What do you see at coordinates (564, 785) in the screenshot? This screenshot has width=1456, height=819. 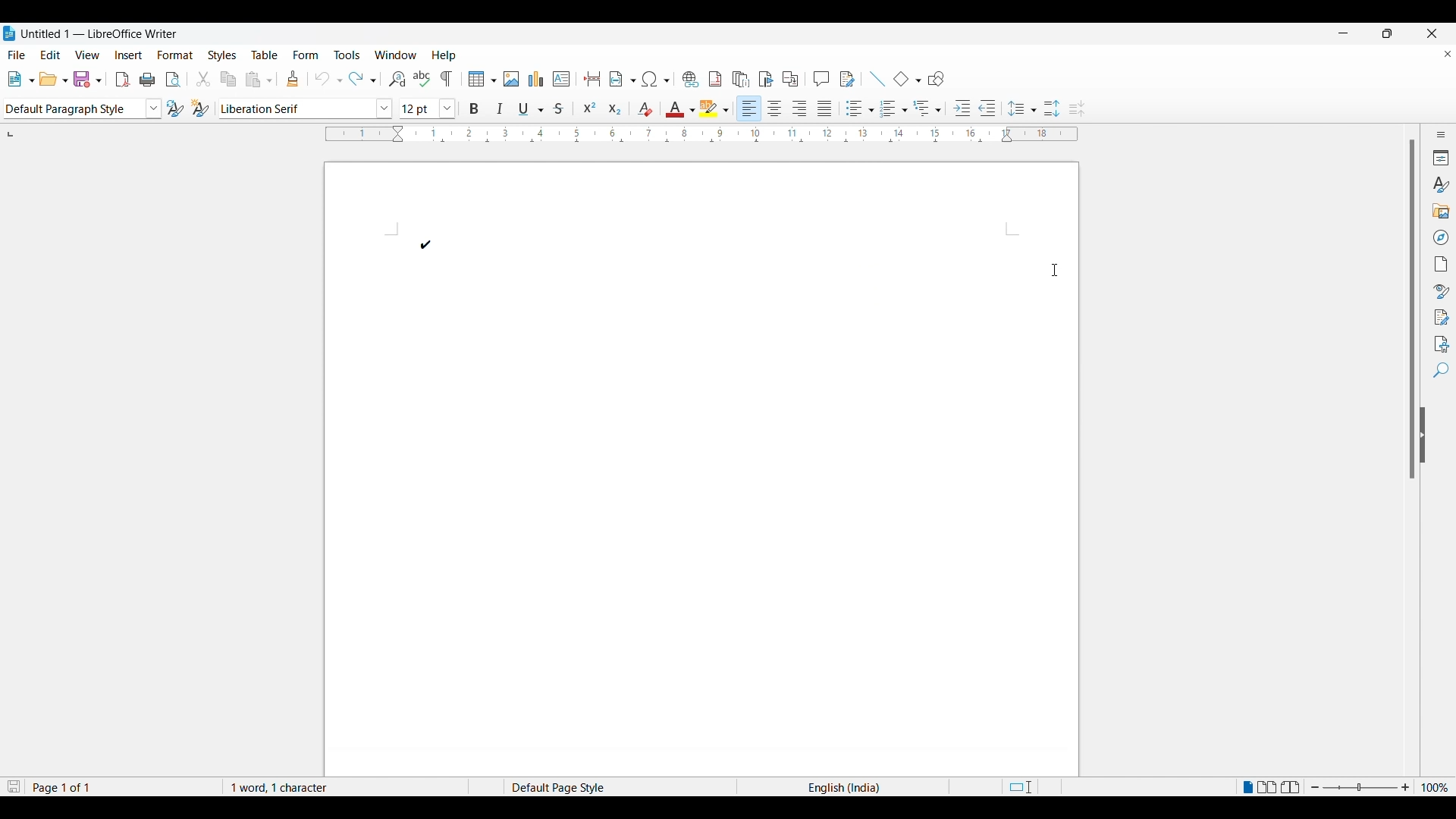 I see `Default Page Style` at bounding box center [564, 785].